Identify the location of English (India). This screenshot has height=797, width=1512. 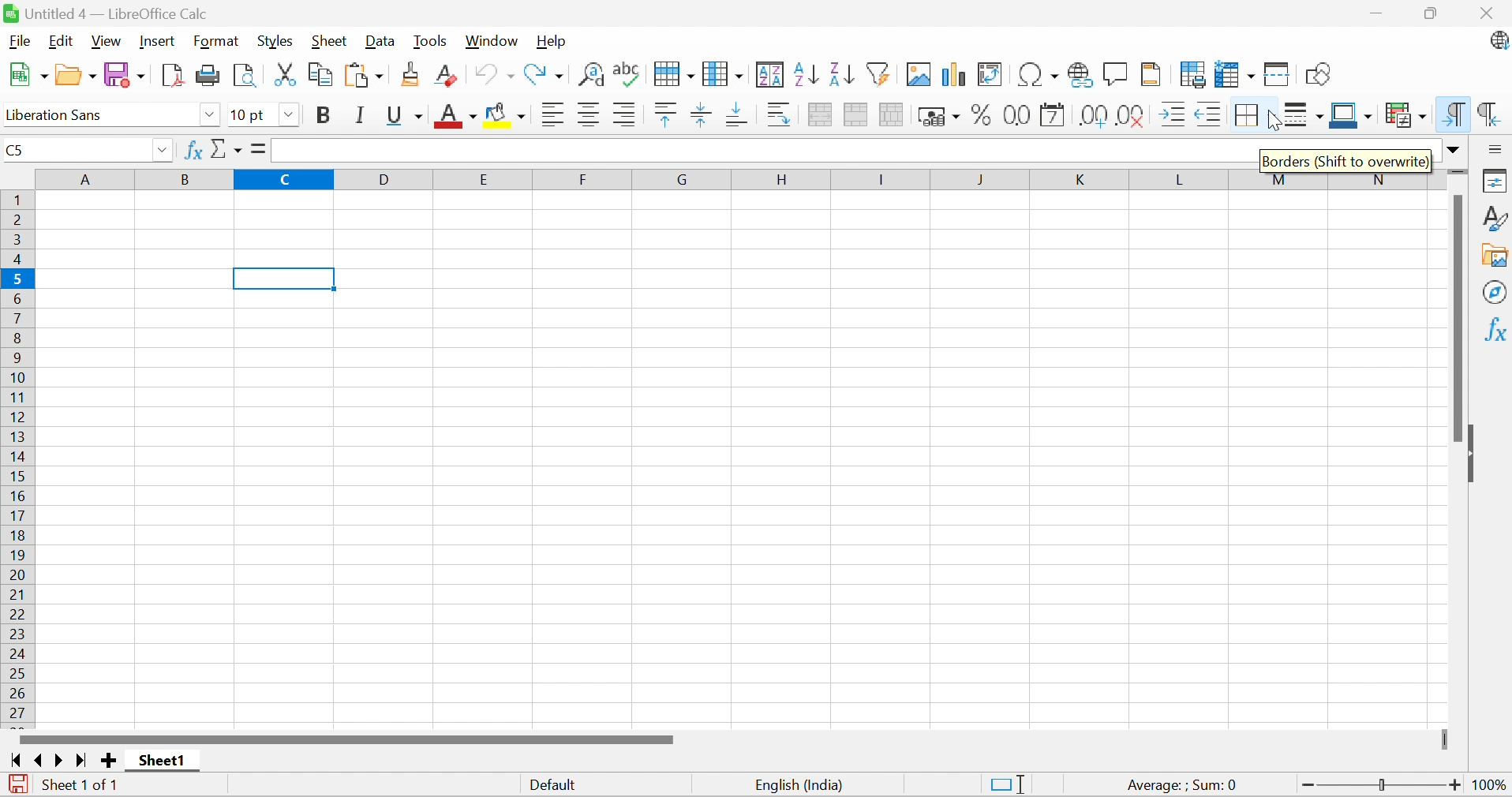
(800, 785).